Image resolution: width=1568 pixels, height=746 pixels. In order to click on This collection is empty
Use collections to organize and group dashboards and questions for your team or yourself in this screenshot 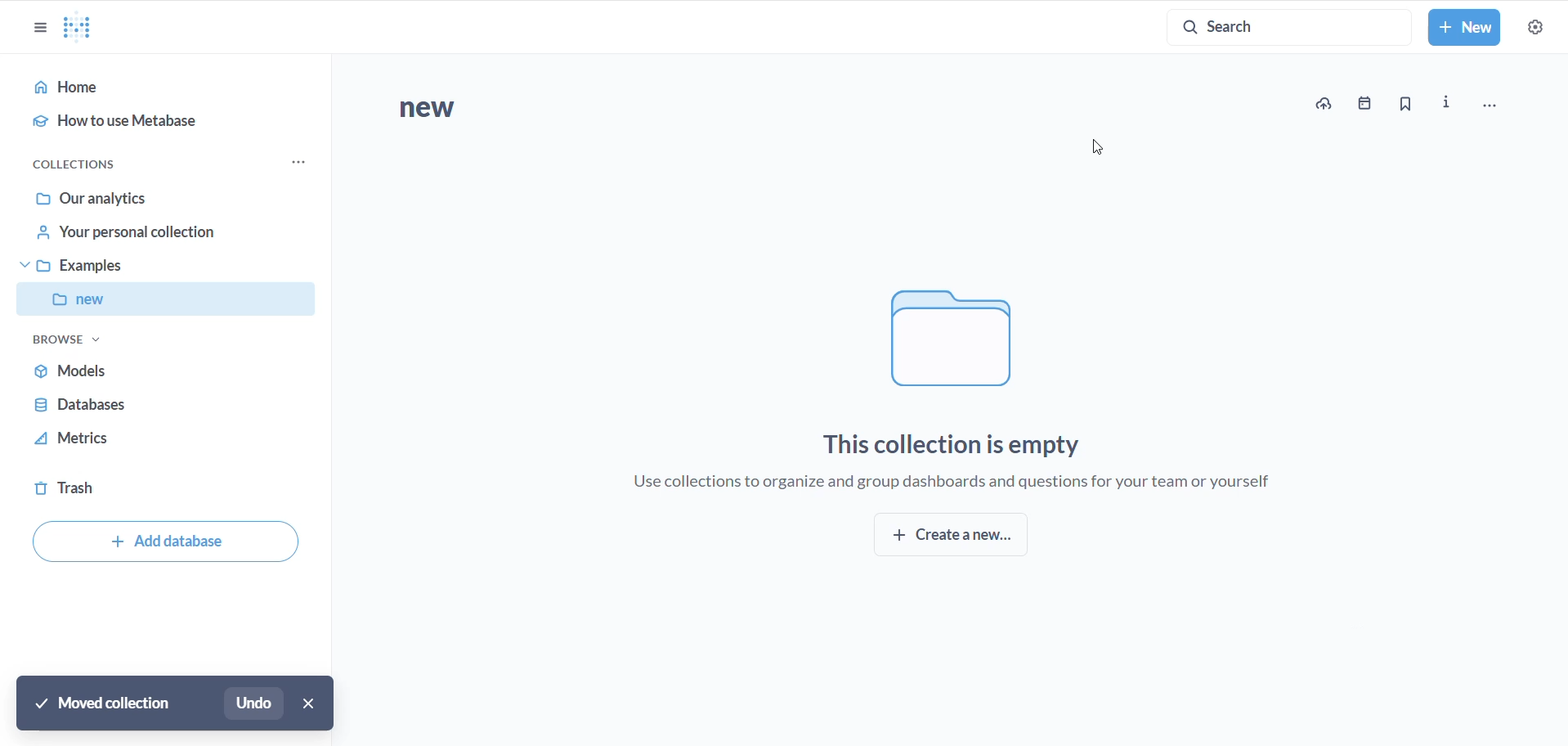, I will do `click(970, 458)`.